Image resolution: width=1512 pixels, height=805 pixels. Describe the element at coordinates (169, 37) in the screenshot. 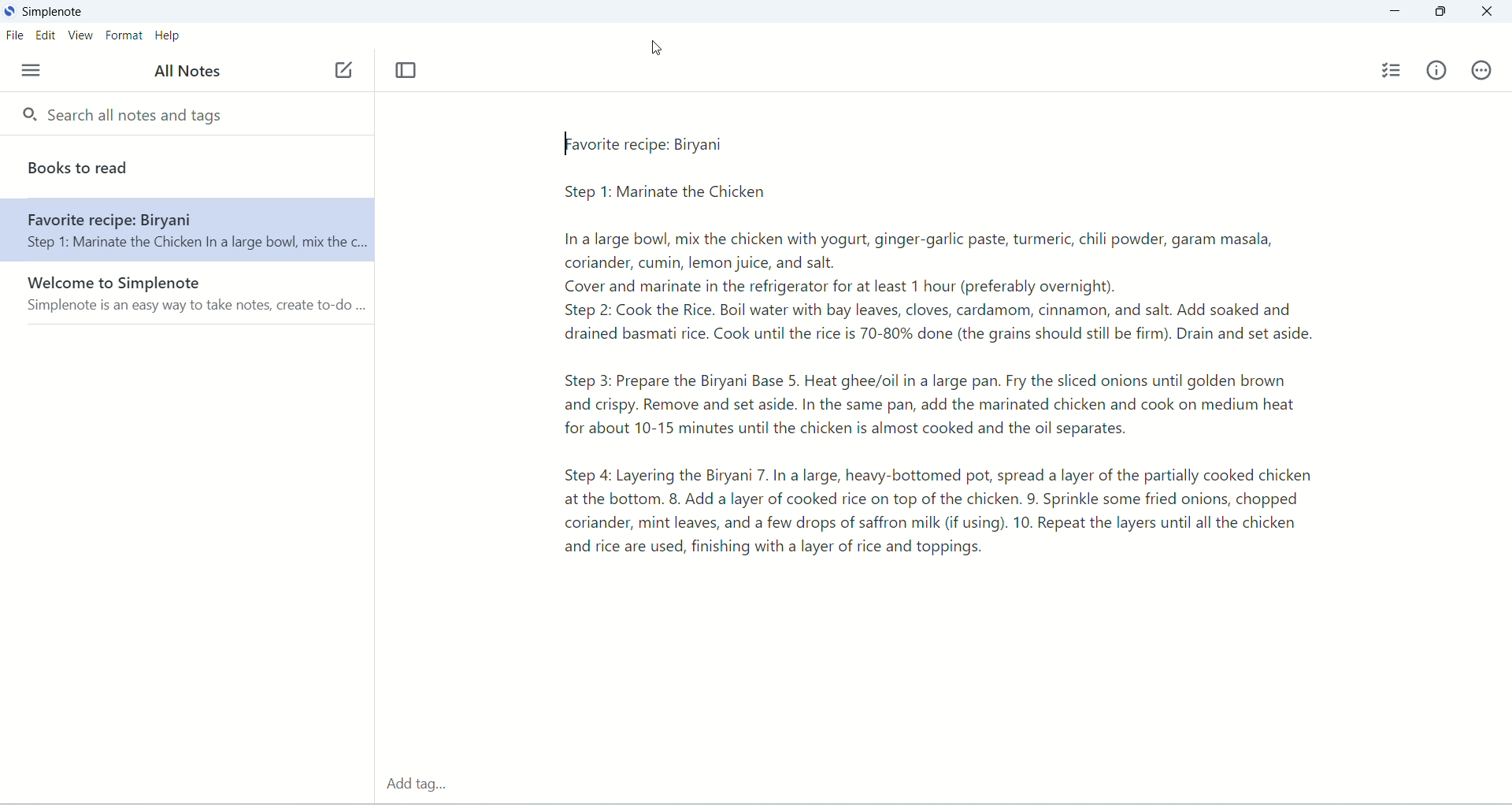

I see `help` at that location.